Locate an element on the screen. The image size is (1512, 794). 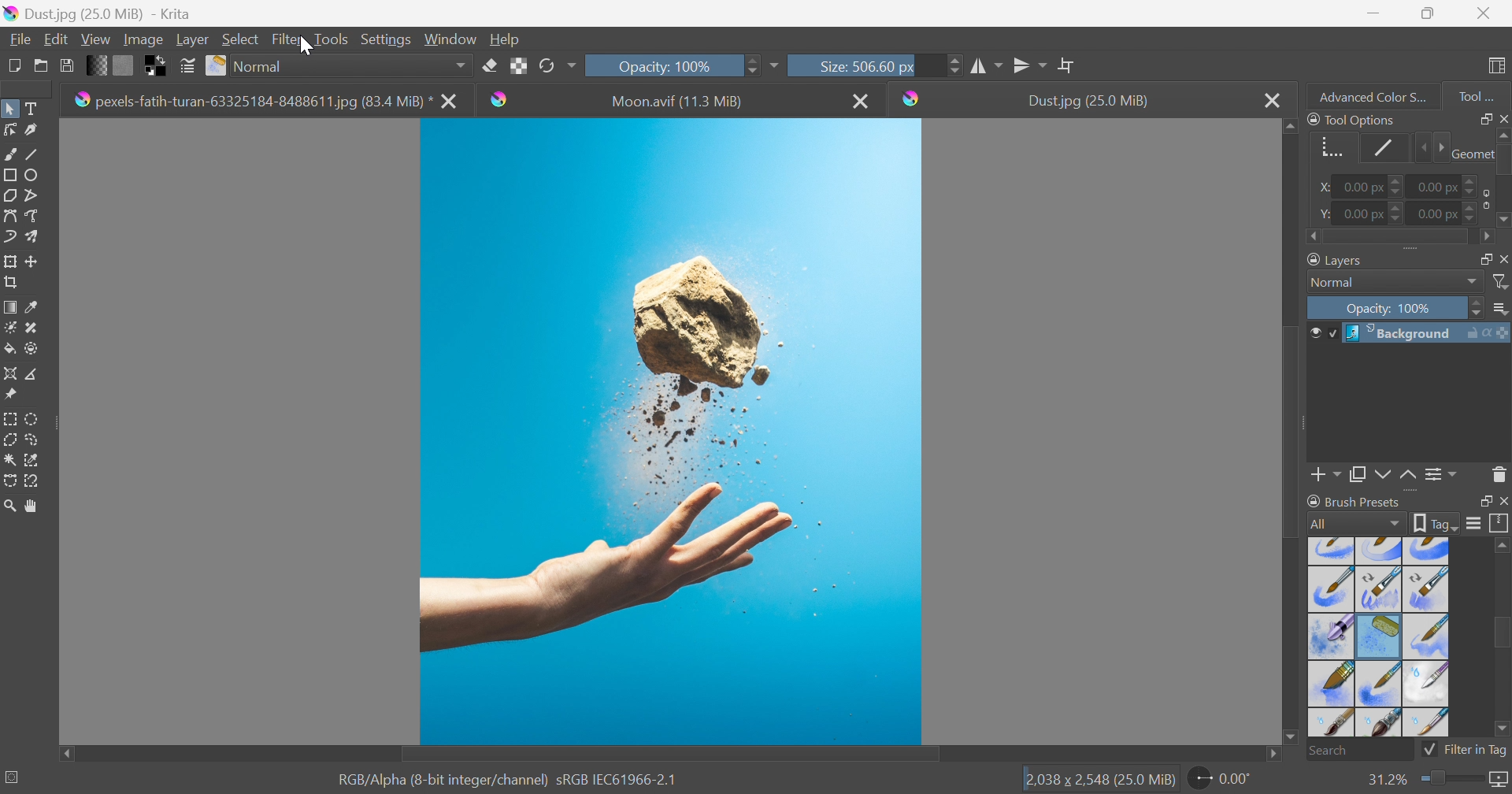
Image is located at coordinates (674, 432).